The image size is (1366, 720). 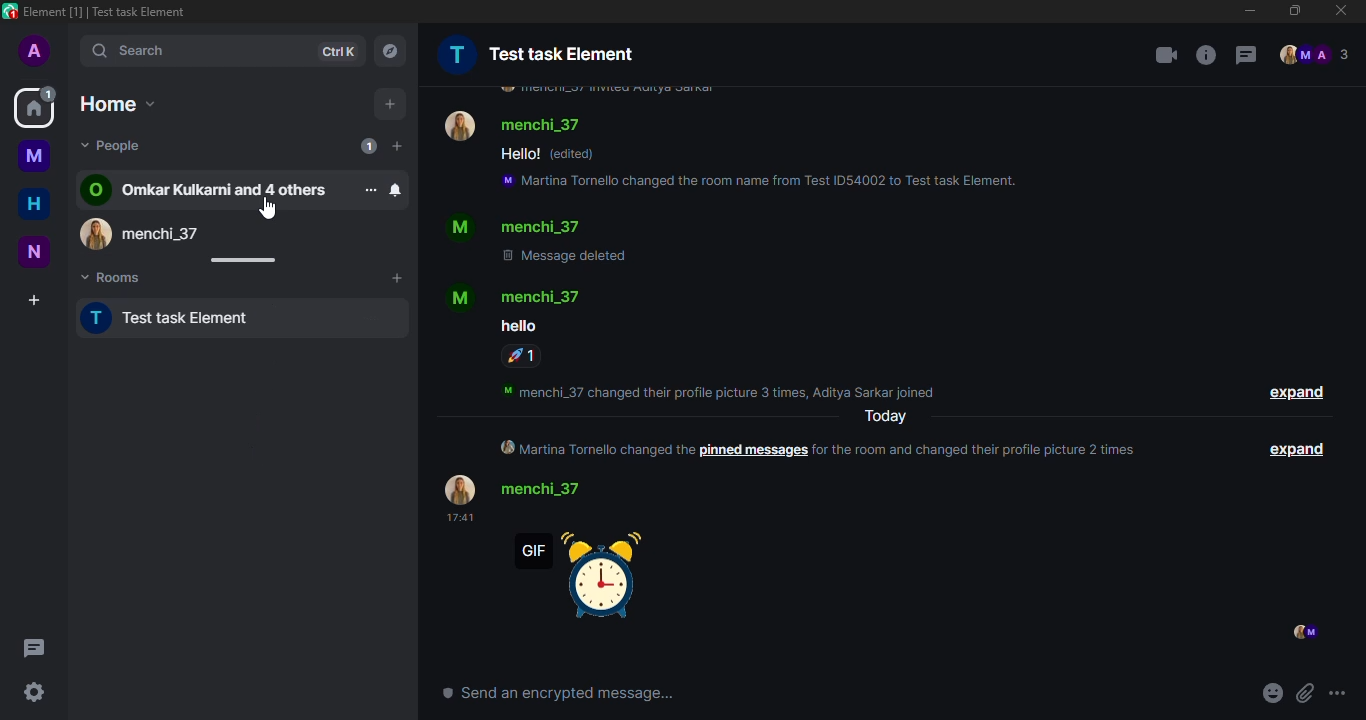 What do you see at coordinates (34, 300) in the screenshot?
I see `create space` at bounding box center [34, 300].